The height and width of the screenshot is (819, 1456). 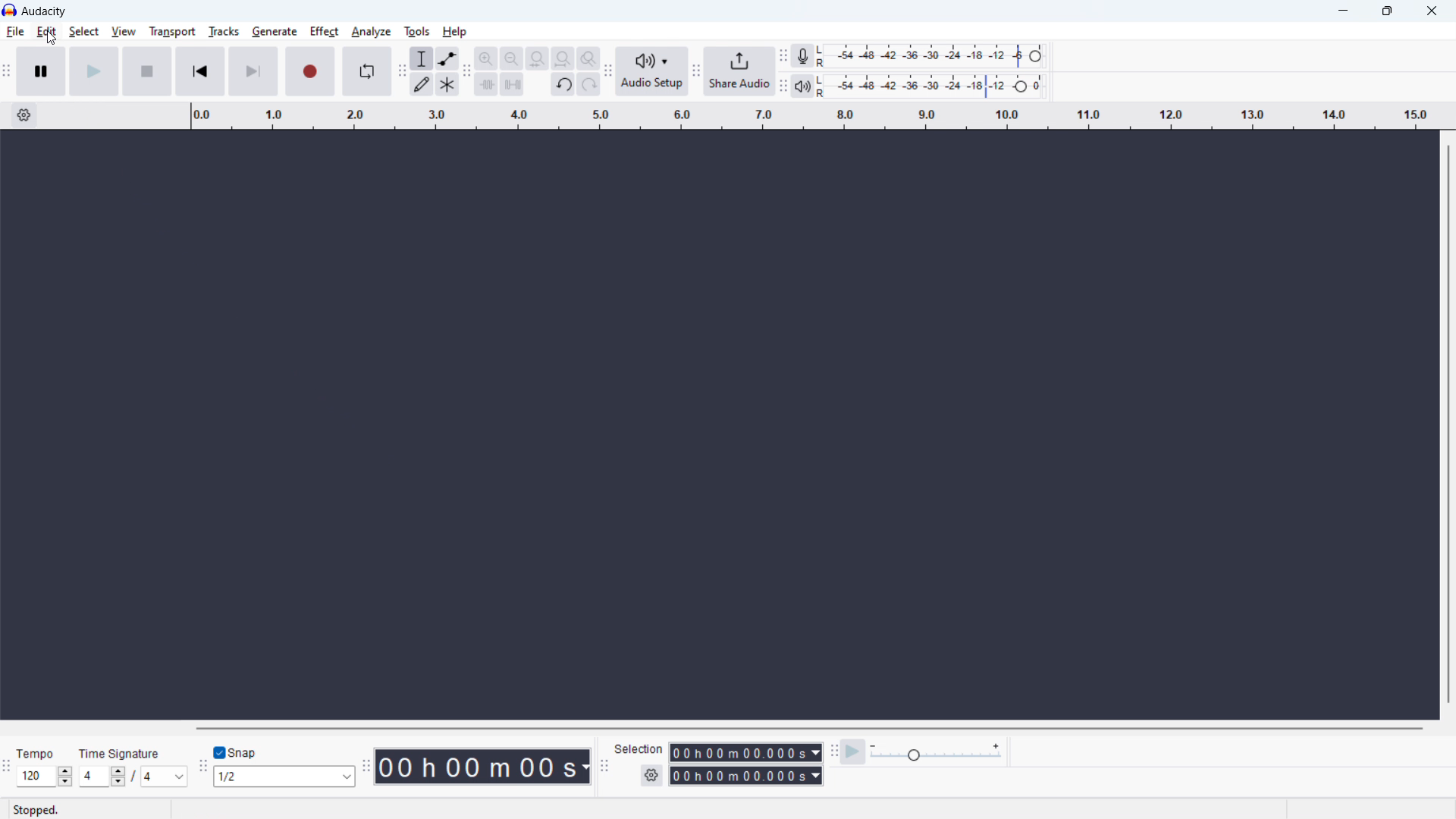 What do you see at coordinates (366, 767) in the screenshot?
I see `time toolbar` at bounding box center [366, 767].